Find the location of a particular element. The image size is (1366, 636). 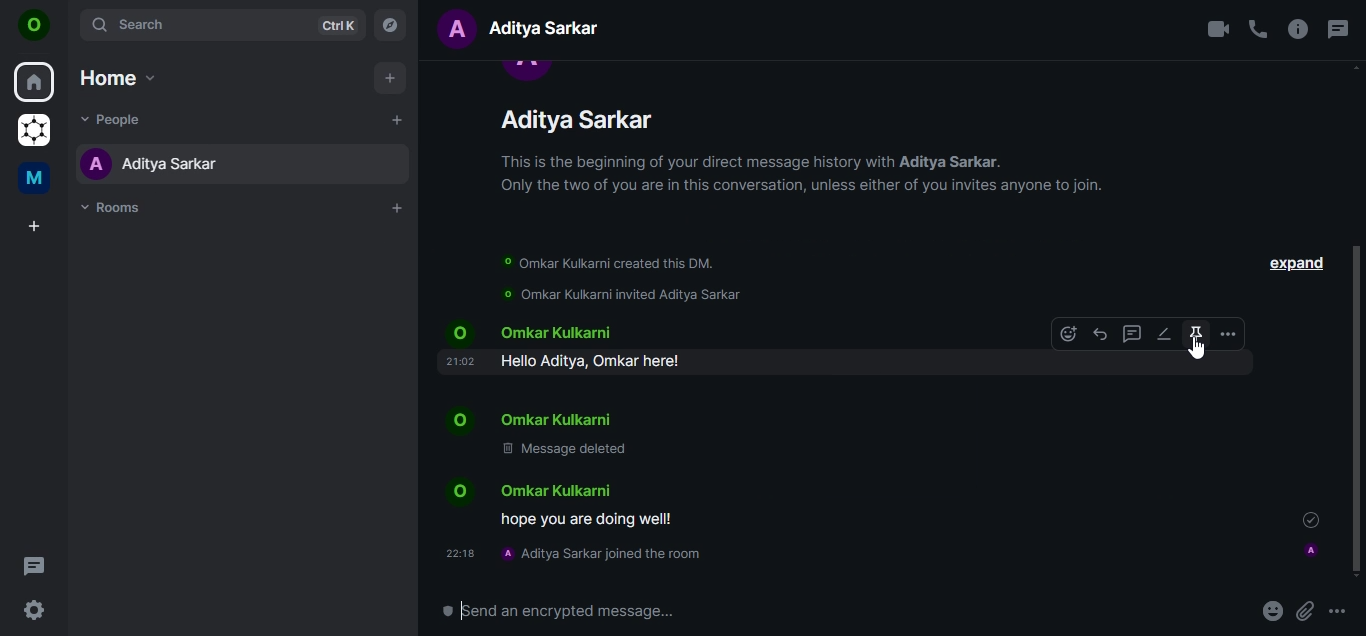

message sent is located at coordinates (1317, 520).